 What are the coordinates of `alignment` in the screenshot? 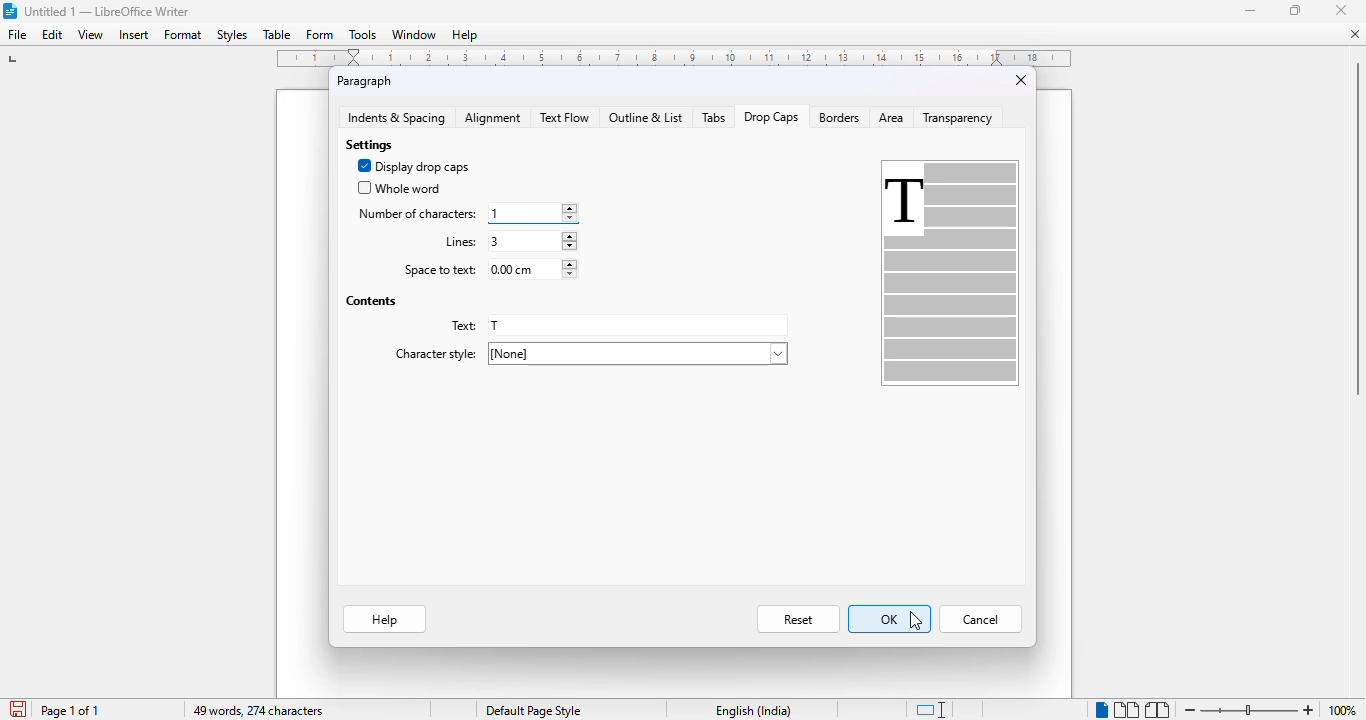 It's located at (492, 117).